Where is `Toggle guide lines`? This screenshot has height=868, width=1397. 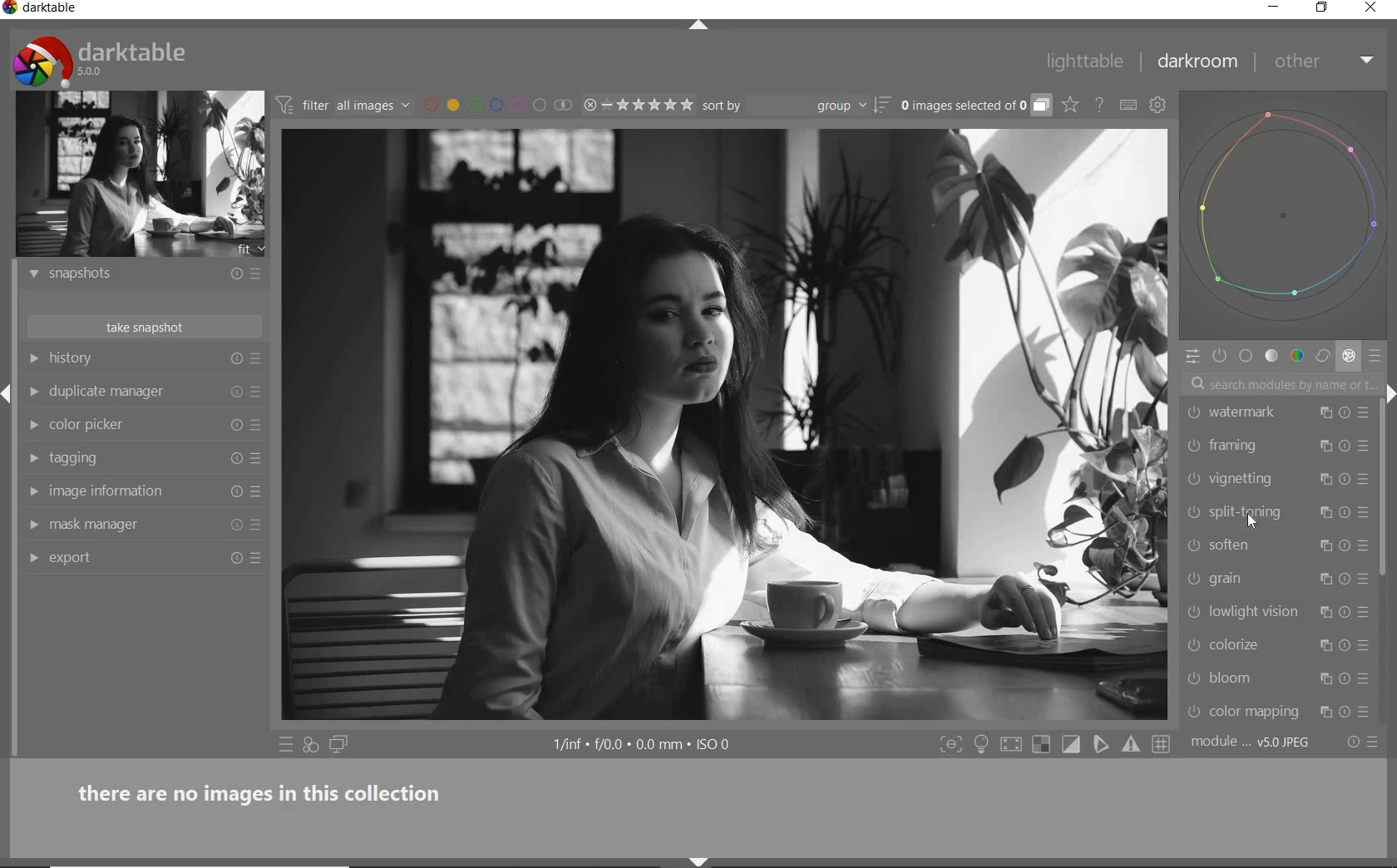
Toggle guide lines is located at coordinates (1163, 743).